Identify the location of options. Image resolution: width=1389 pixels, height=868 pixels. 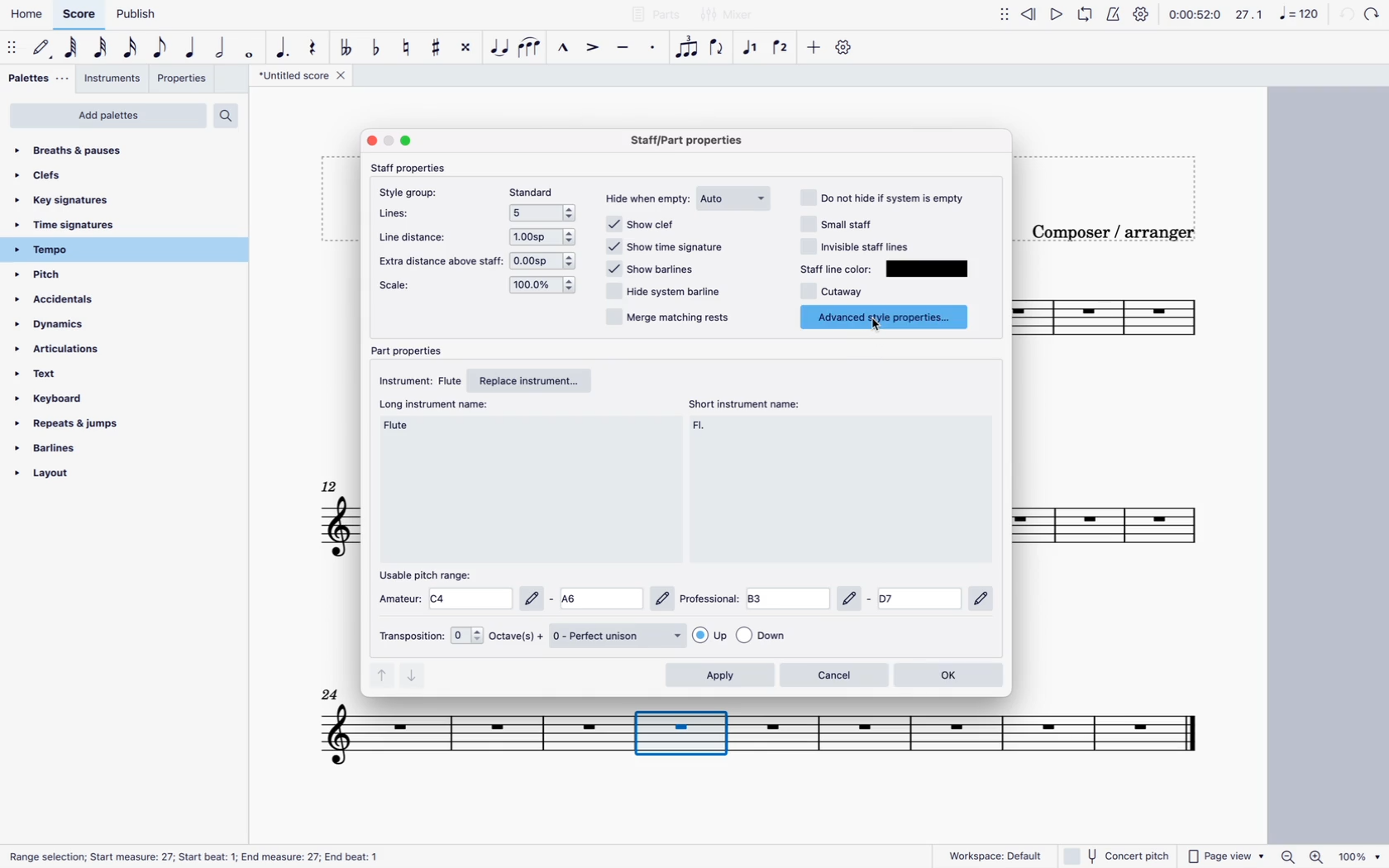
(543, 212).